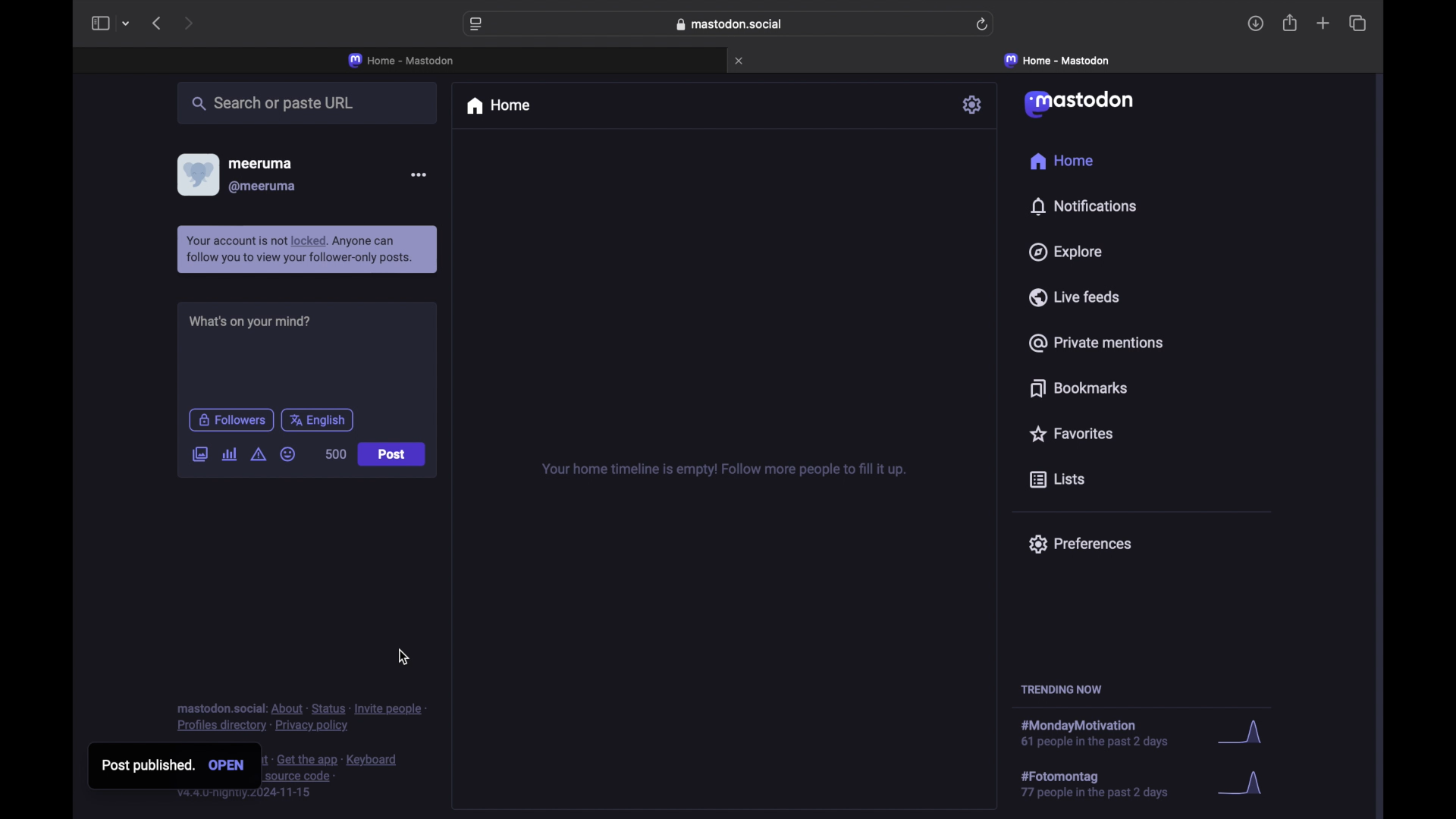 This screenshot has width=1456, height=819. Describe the element at coordinates (334, 454) in the screenshot. I see `word  count` at that location.